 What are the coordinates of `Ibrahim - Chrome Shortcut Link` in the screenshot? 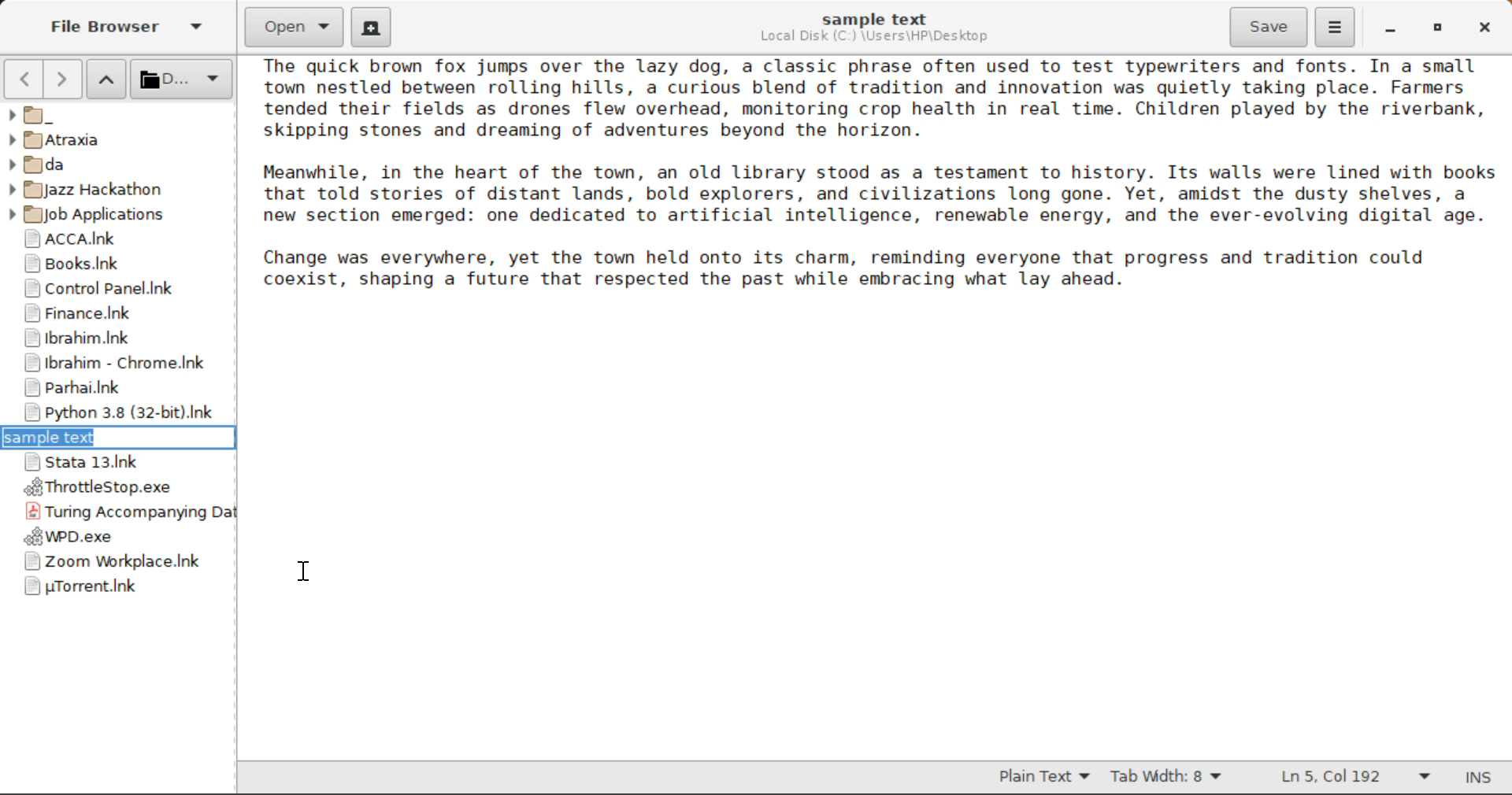 It's located at (114, 366).